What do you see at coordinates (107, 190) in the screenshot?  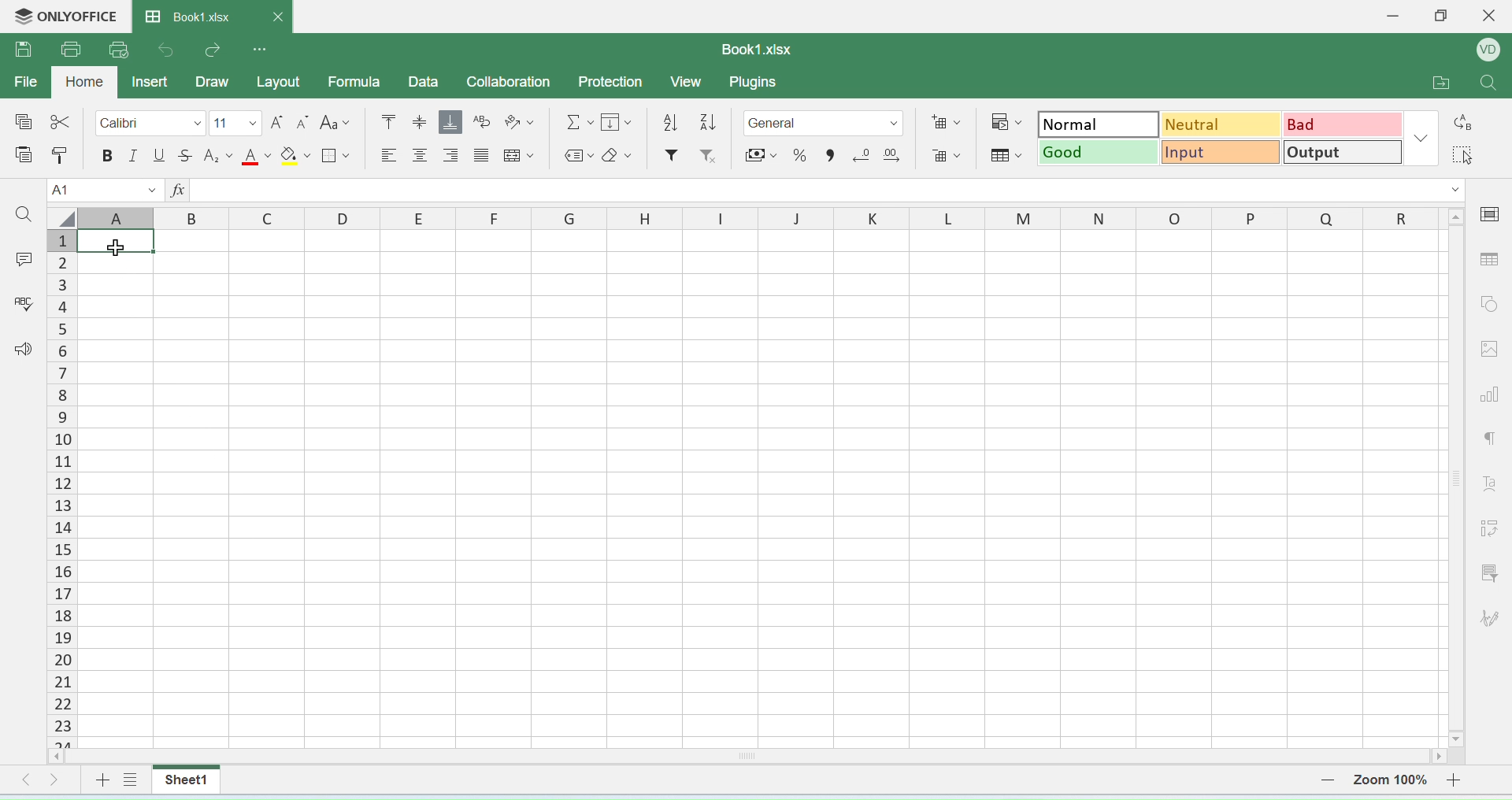 I see `cell name` at bounding box center [107, 190].